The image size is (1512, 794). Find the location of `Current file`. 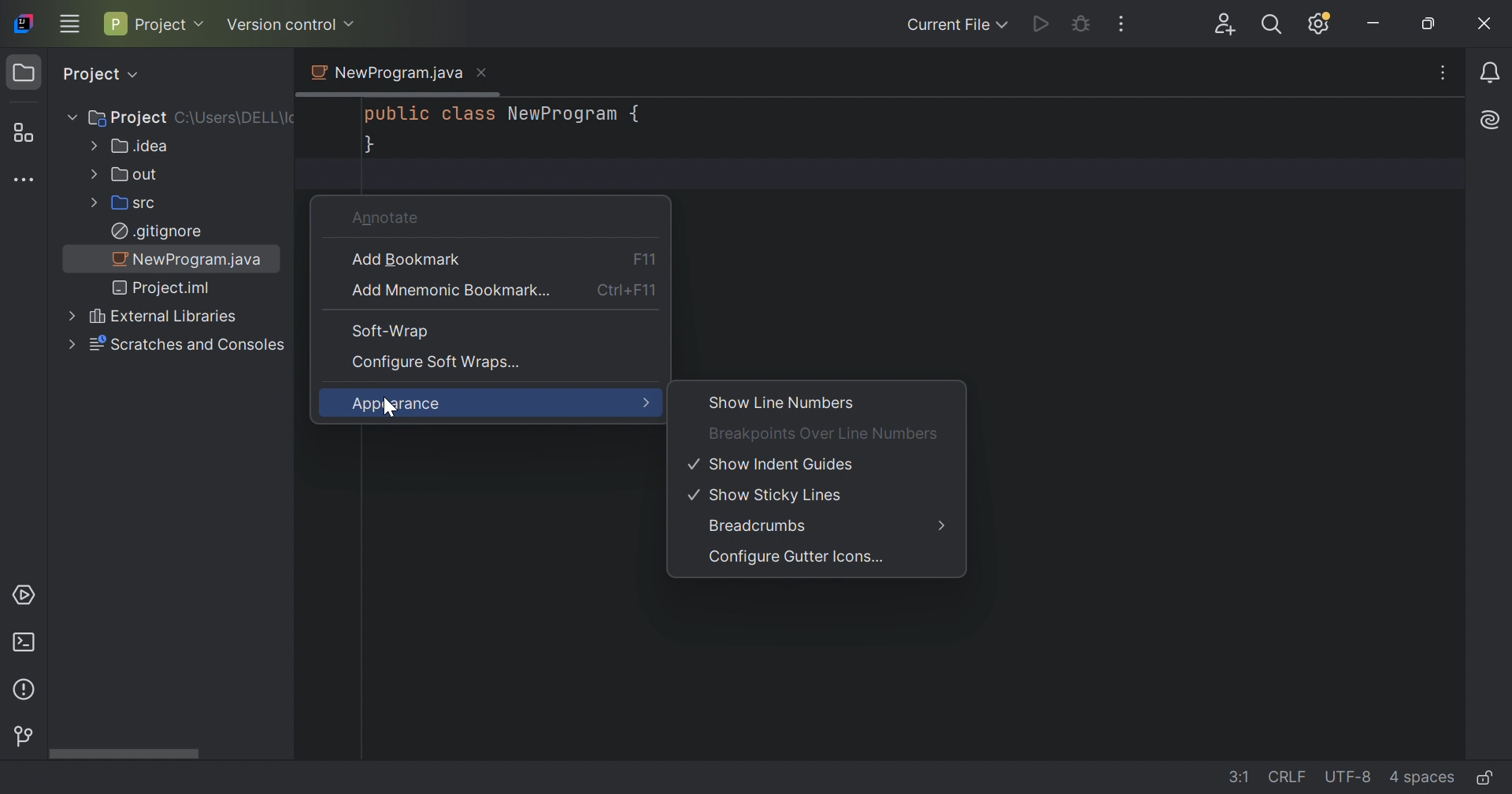

Current file is located at coordinates (944, 27).